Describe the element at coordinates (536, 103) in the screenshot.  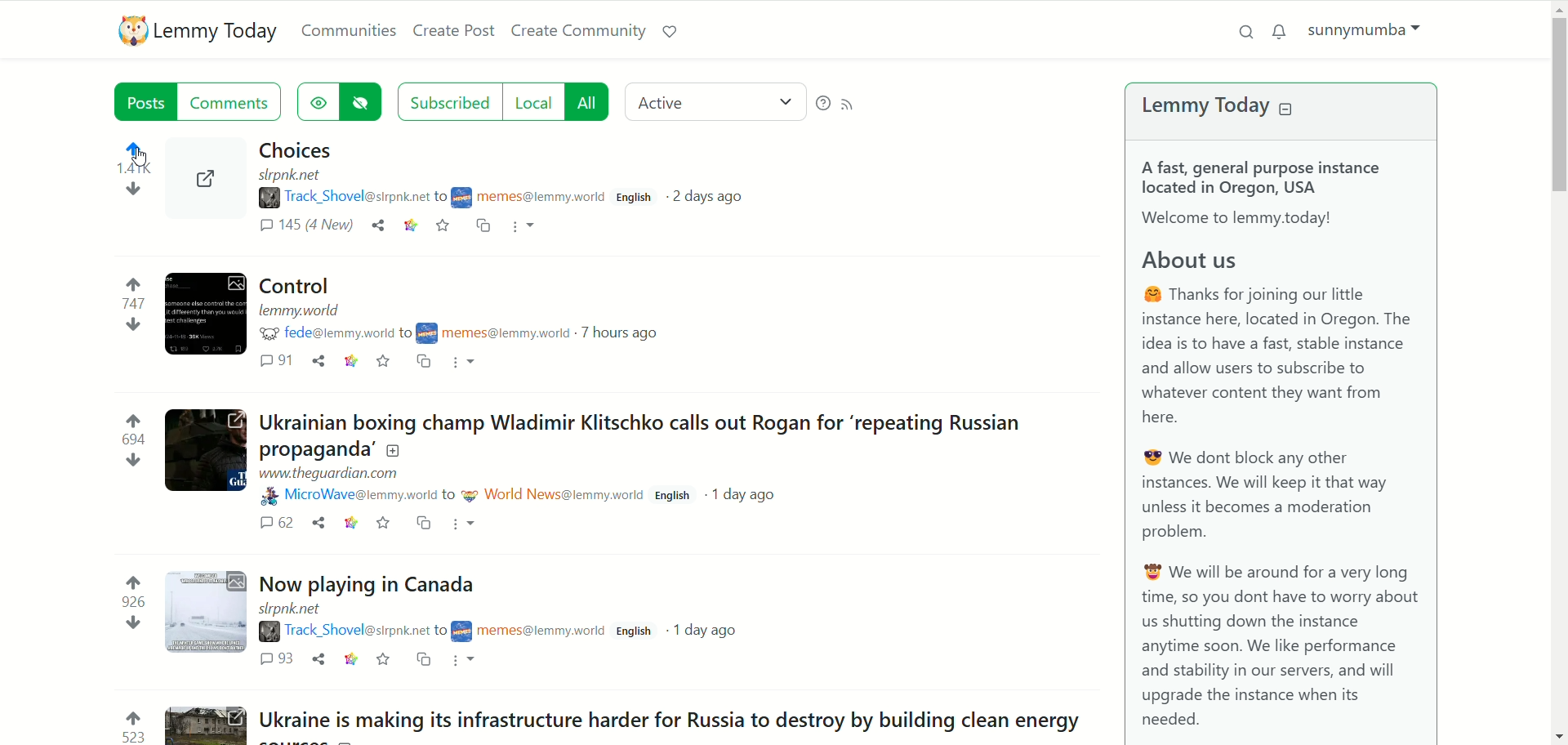
I see `local` at that location.